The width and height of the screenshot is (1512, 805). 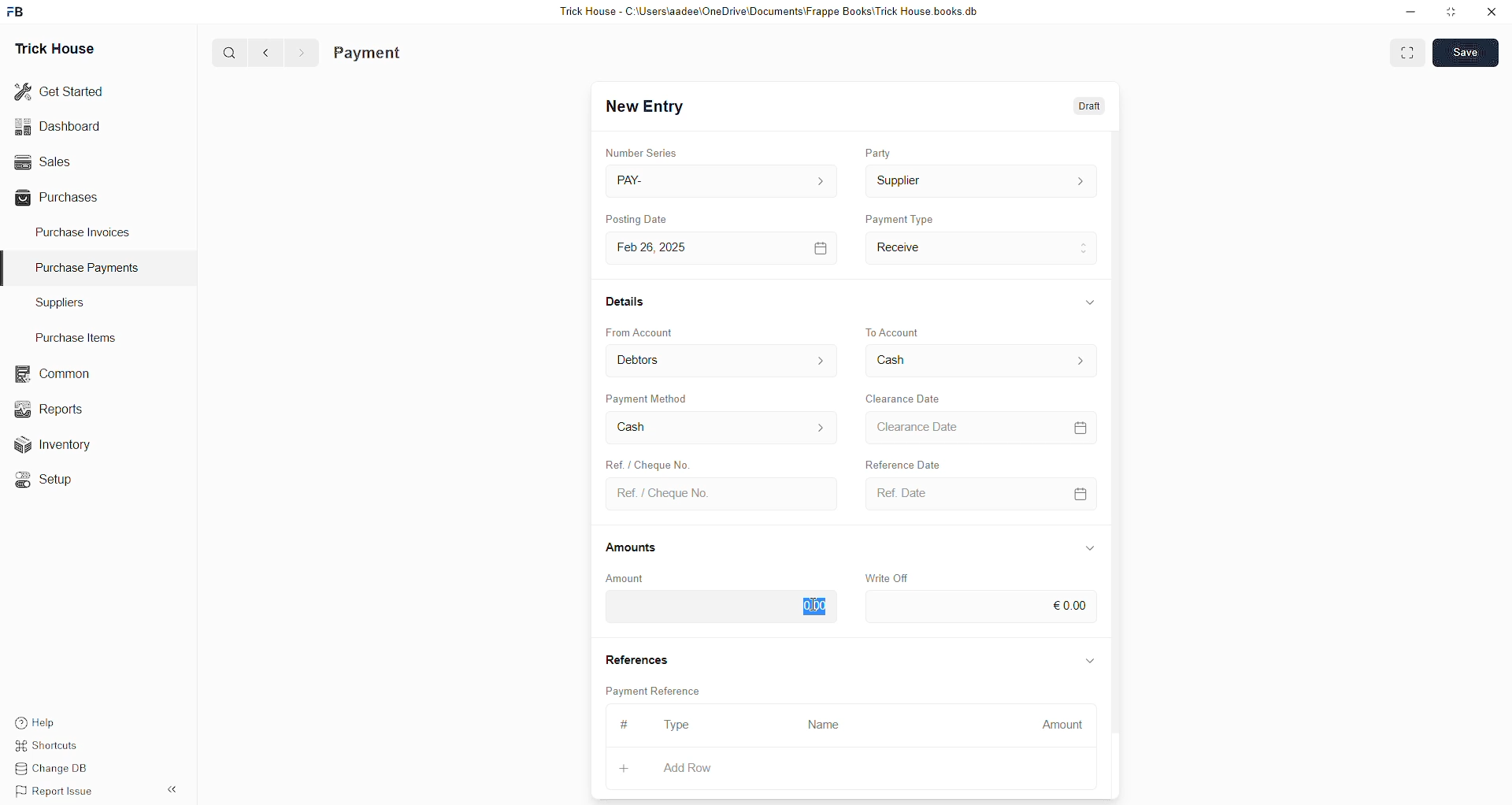 I want to click on Maximize, so click(x=1452, y=15).